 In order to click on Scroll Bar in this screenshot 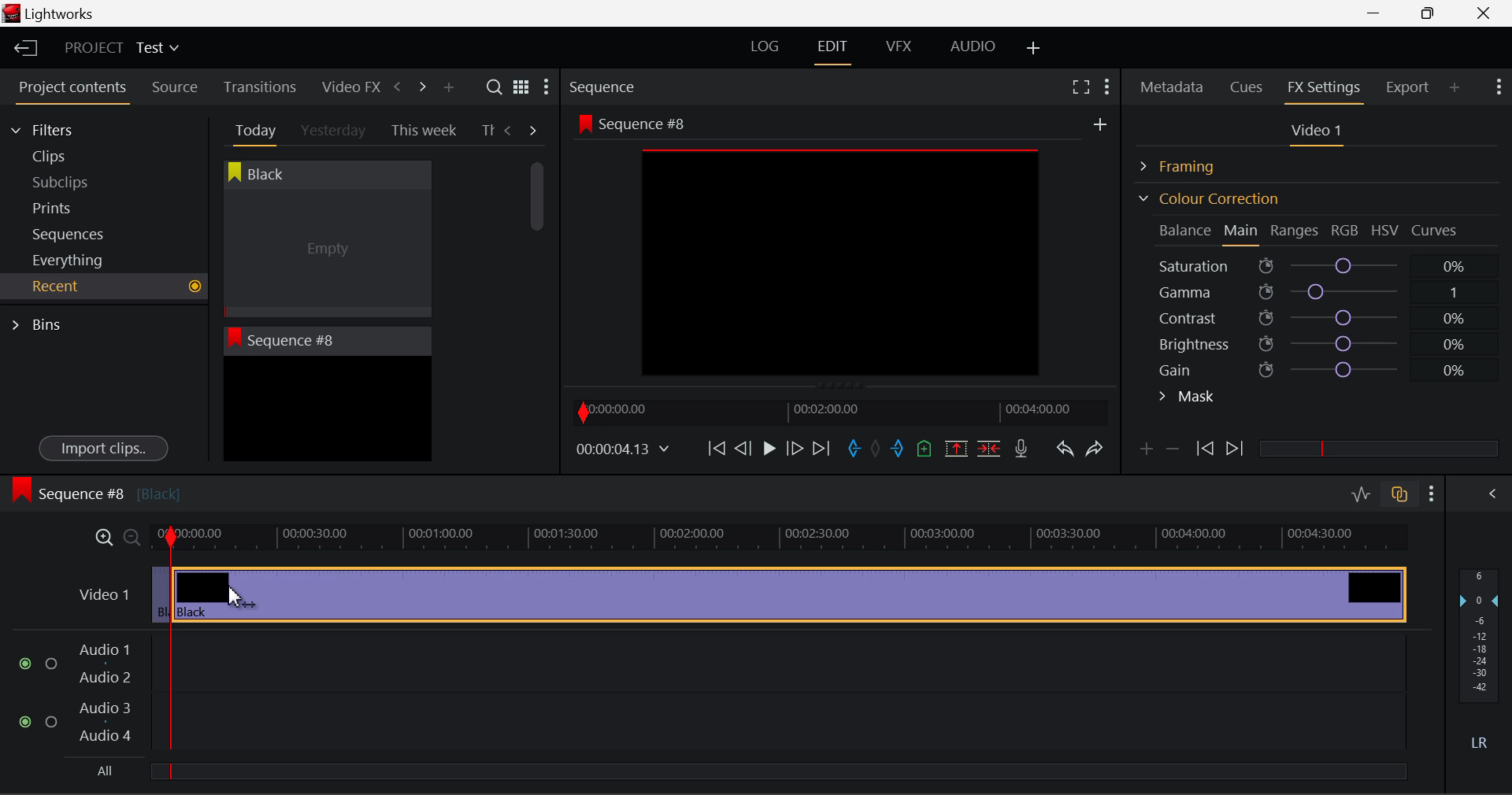, I will do `click(538, 299)`.